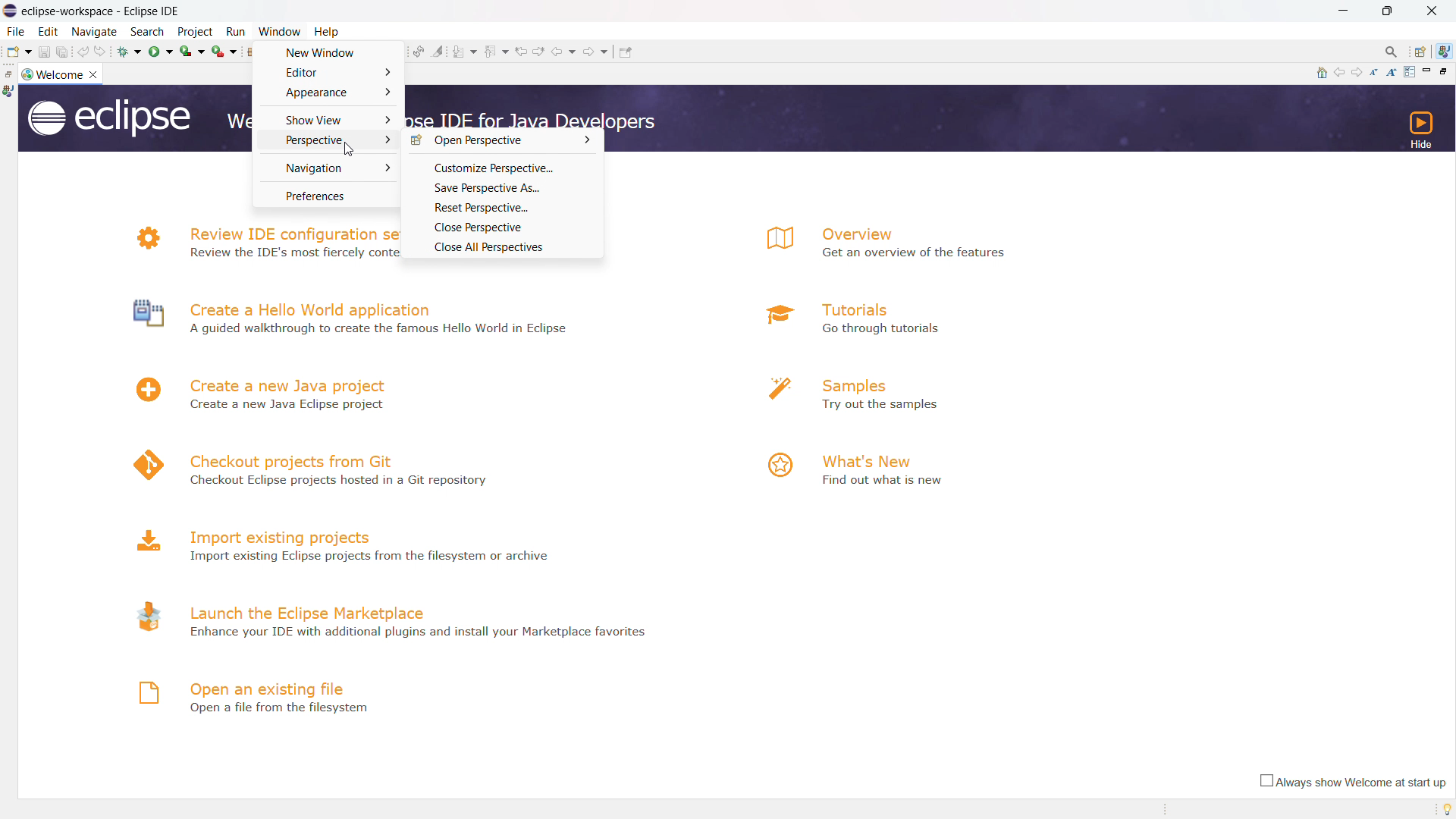 This screenshot has width=1456, height=819. I want to click on appearance, so click(326, 92).